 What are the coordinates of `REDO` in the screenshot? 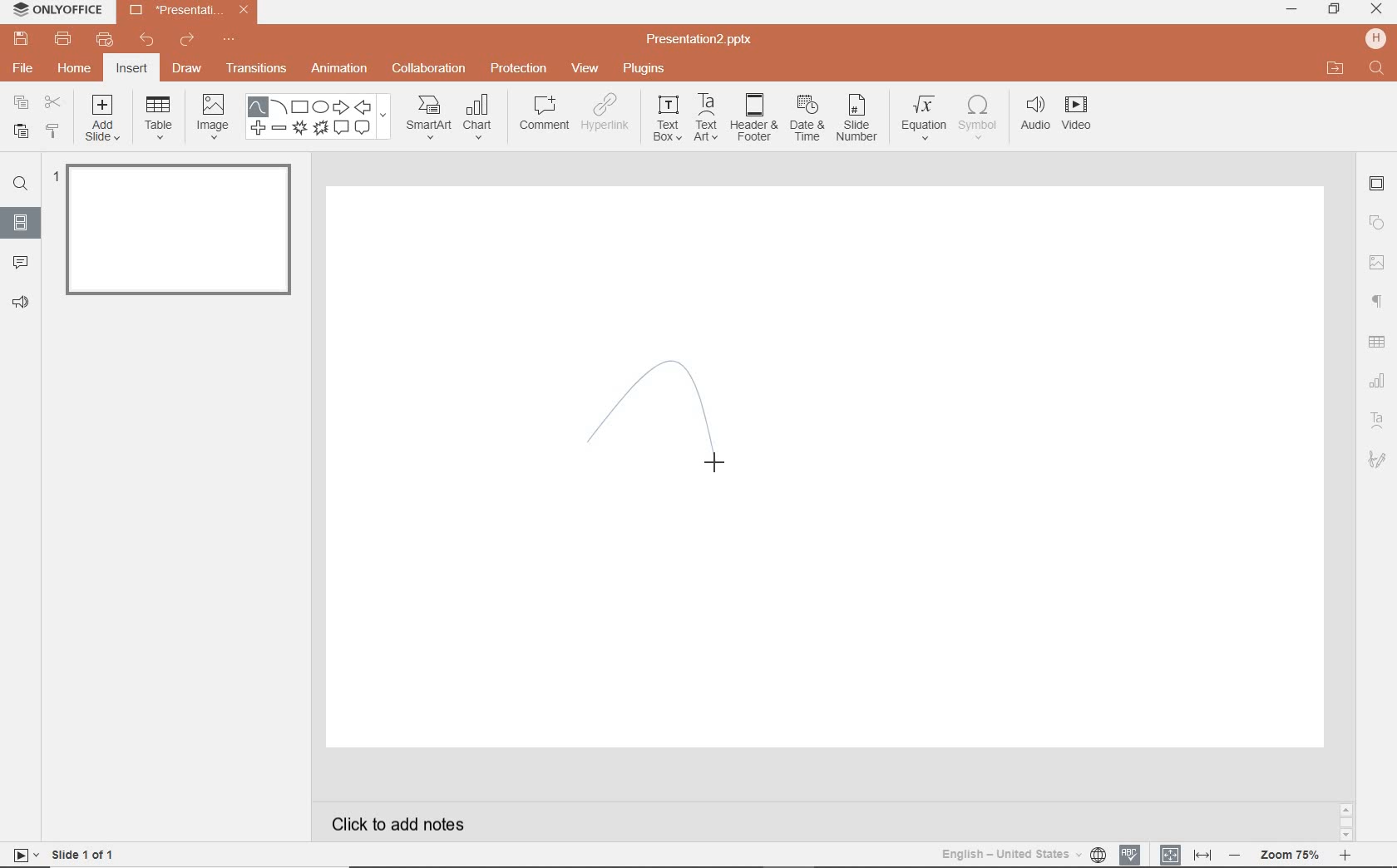 It's located at (187, 41).